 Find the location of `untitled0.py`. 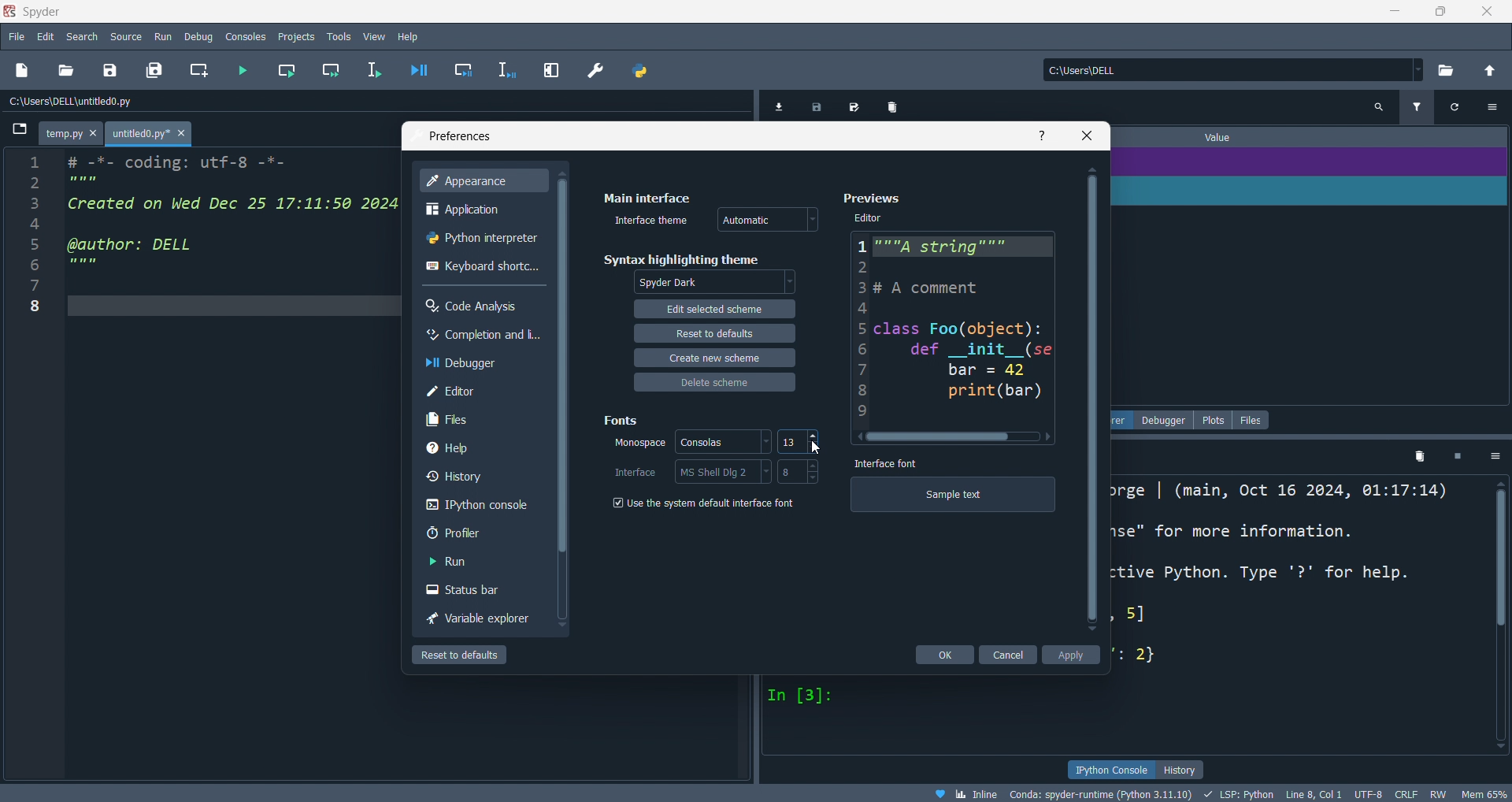

untitled0.py is located at coordinates (154, 133).